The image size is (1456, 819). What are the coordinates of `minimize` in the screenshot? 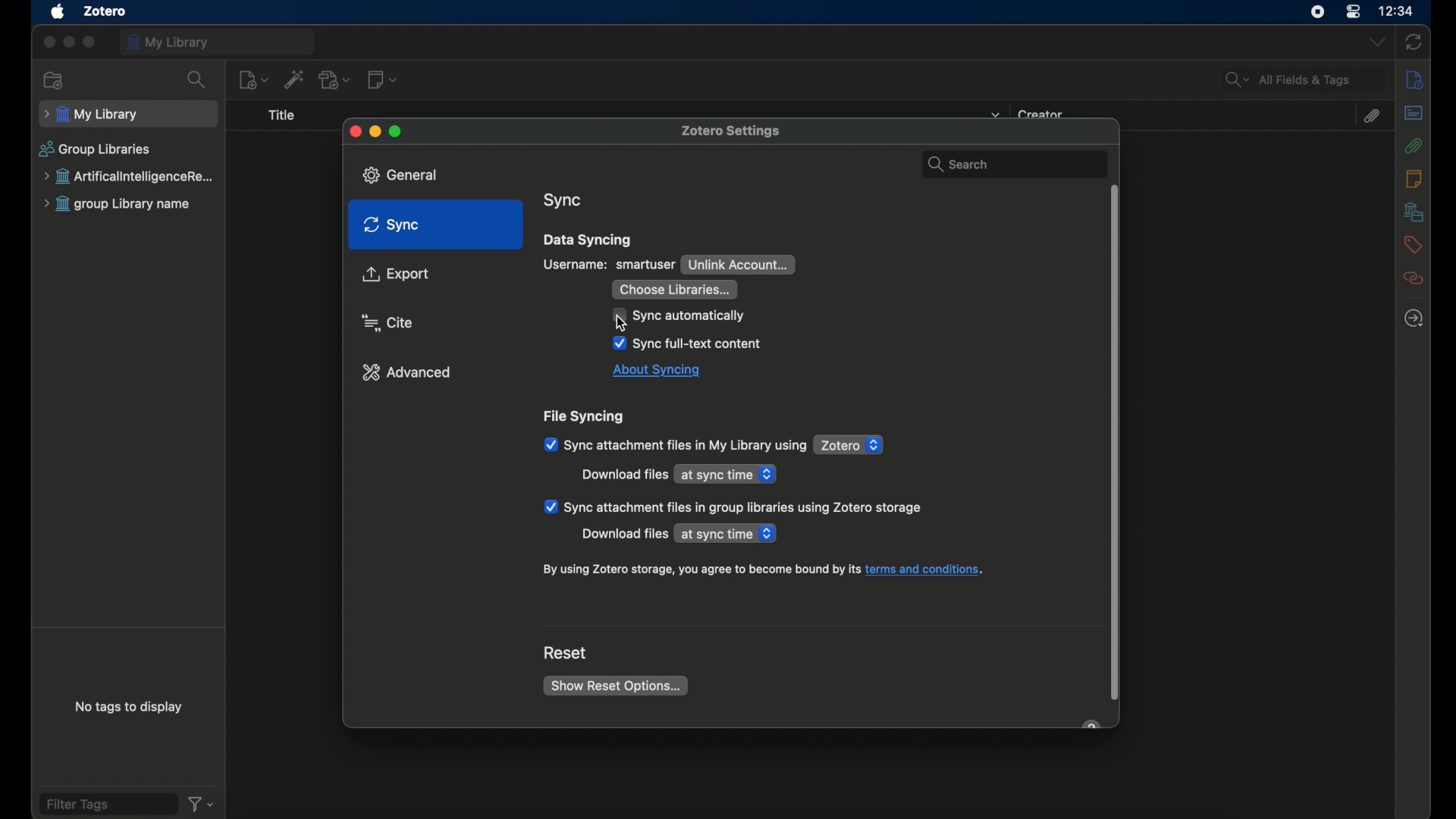 It's located at (68, 42).